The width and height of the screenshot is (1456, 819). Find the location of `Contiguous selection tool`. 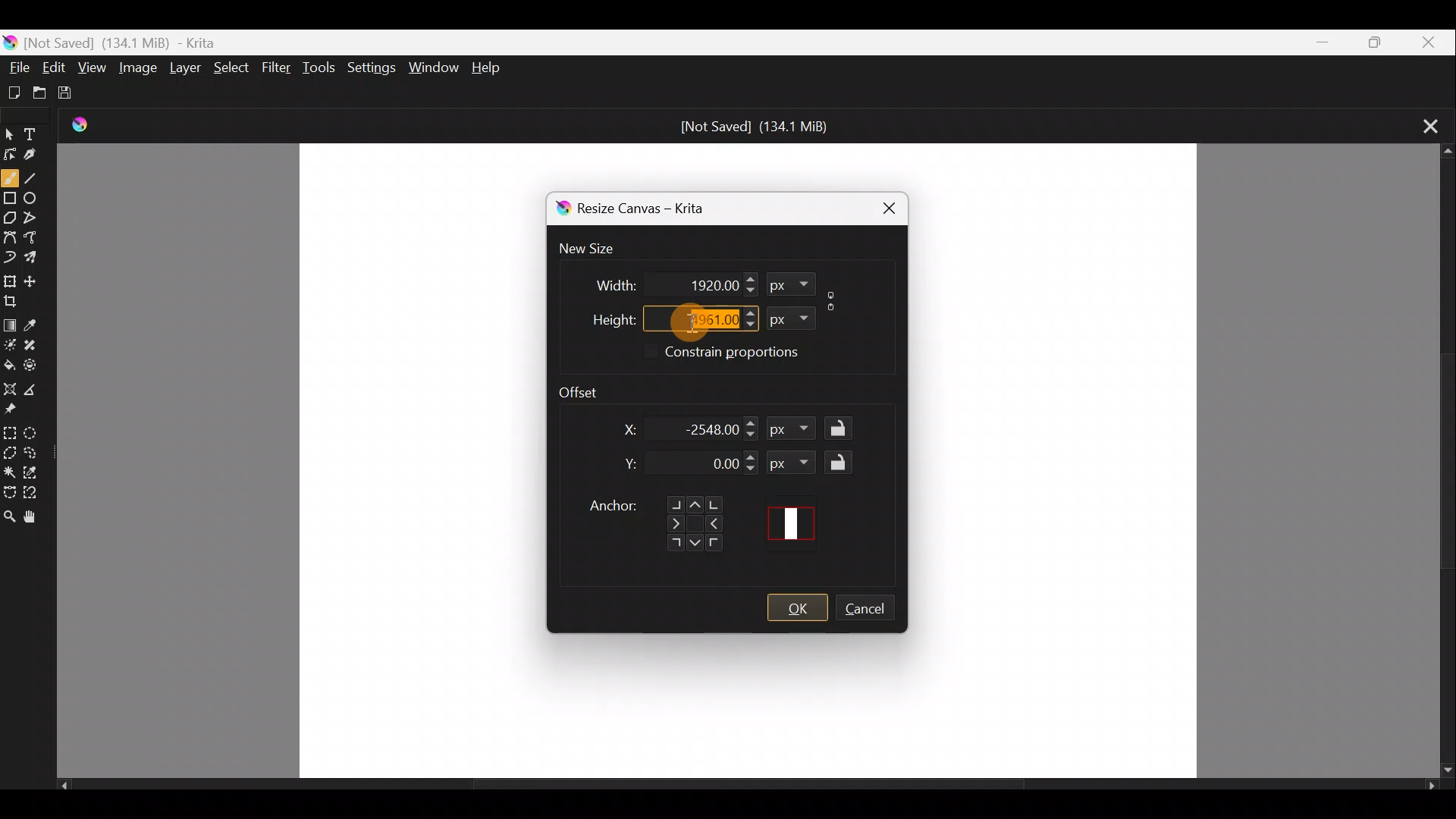

Contiguous selection tool is located at coordinates (10, 472).